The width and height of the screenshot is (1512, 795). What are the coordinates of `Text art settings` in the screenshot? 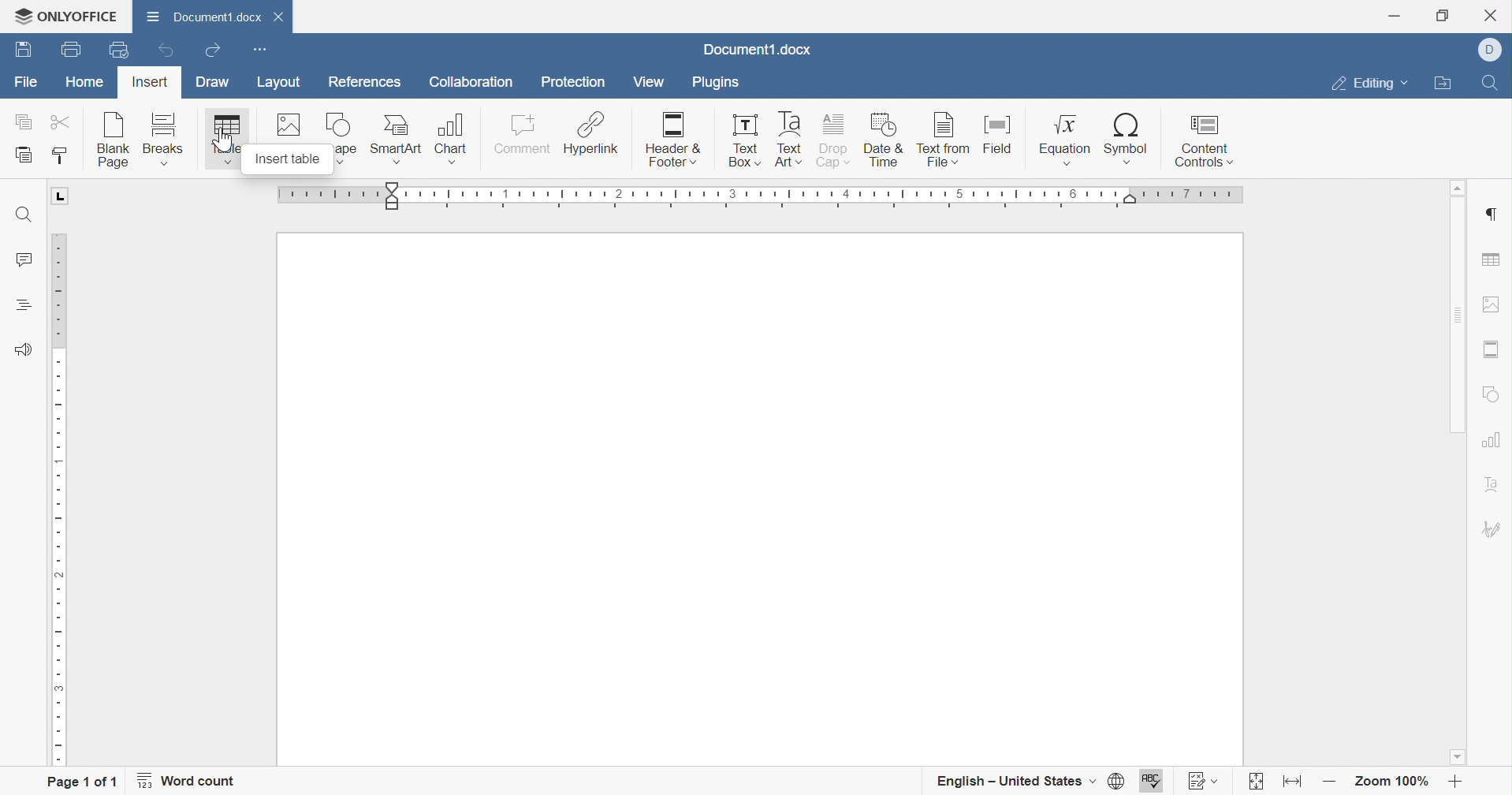 It's located at (1494, 487).